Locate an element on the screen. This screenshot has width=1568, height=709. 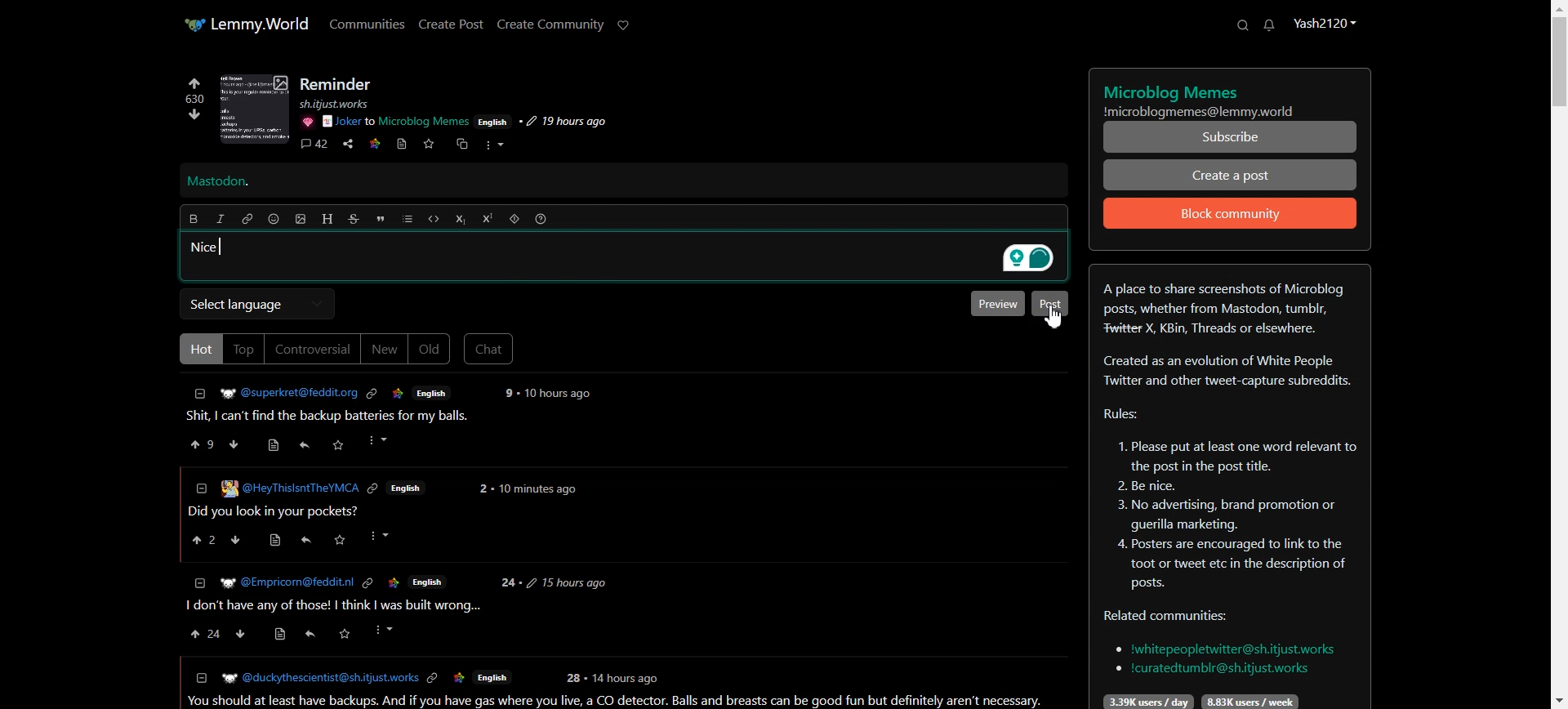
Profile picture is located at coordinates (255, 109).